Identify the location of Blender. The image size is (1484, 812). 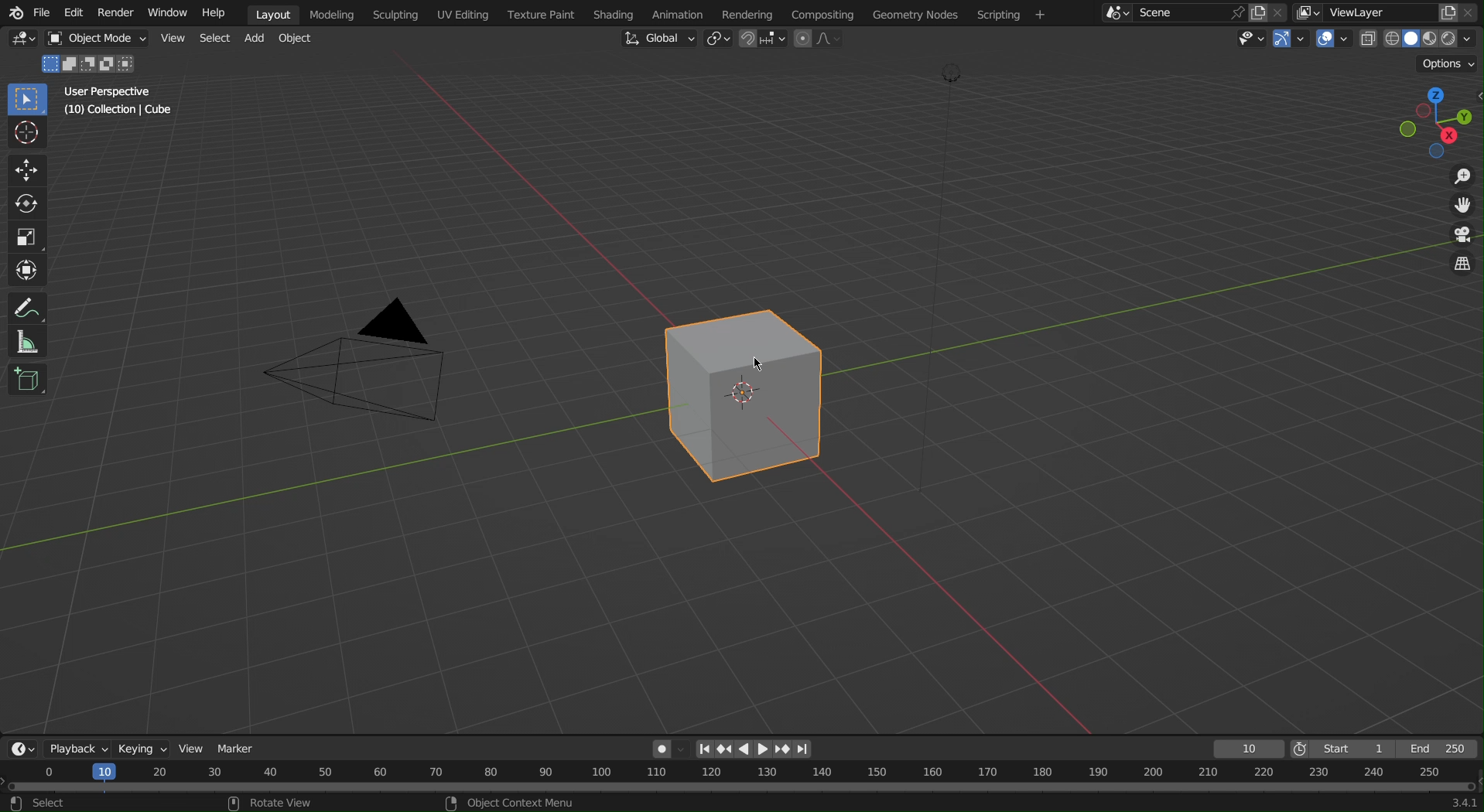
(13, 12).